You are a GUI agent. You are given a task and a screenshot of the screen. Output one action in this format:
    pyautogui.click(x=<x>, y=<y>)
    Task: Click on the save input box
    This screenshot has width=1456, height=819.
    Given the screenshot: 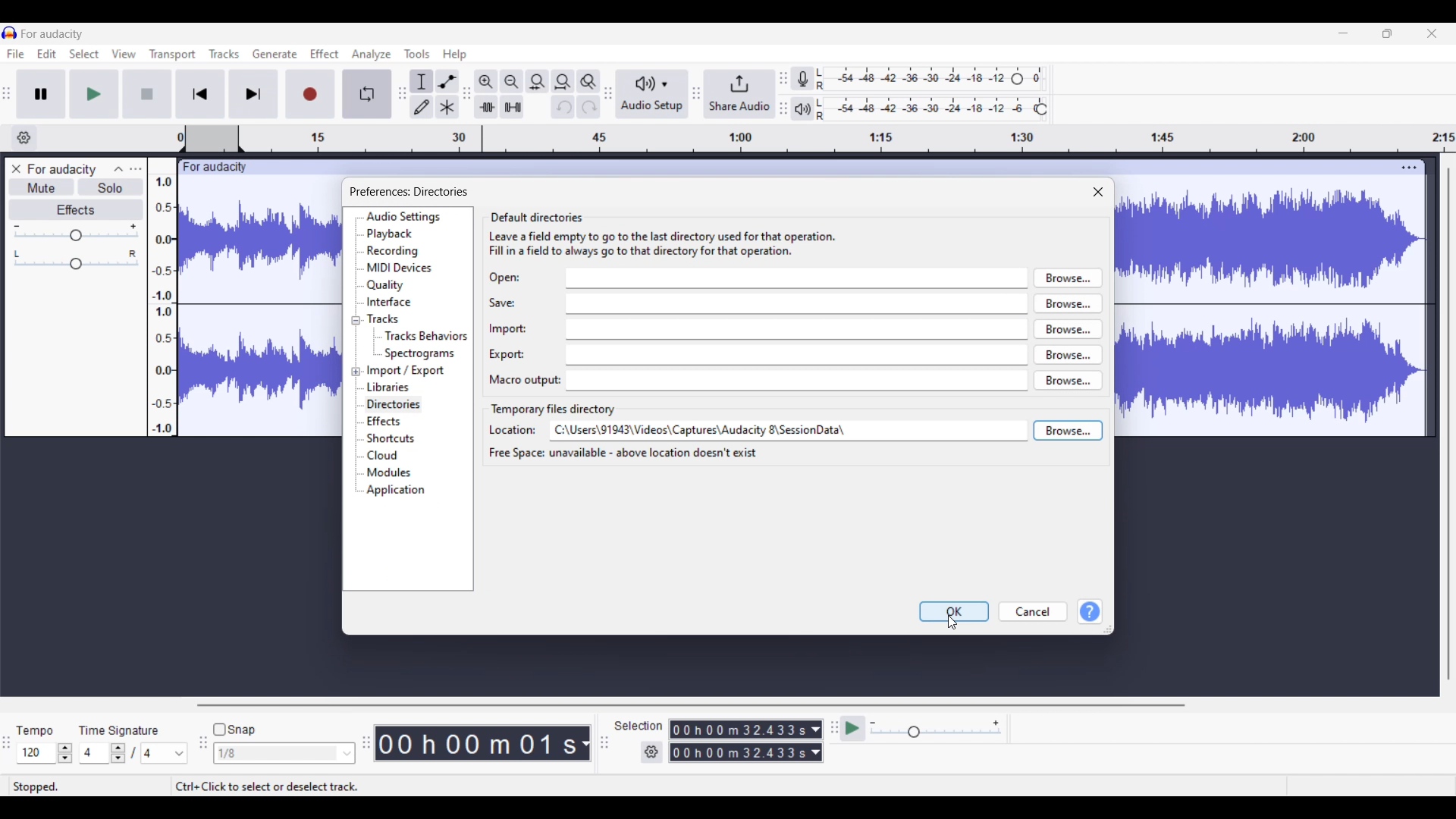 What is the action you would take?
    pyautogui.click(x=799, y=303)
    